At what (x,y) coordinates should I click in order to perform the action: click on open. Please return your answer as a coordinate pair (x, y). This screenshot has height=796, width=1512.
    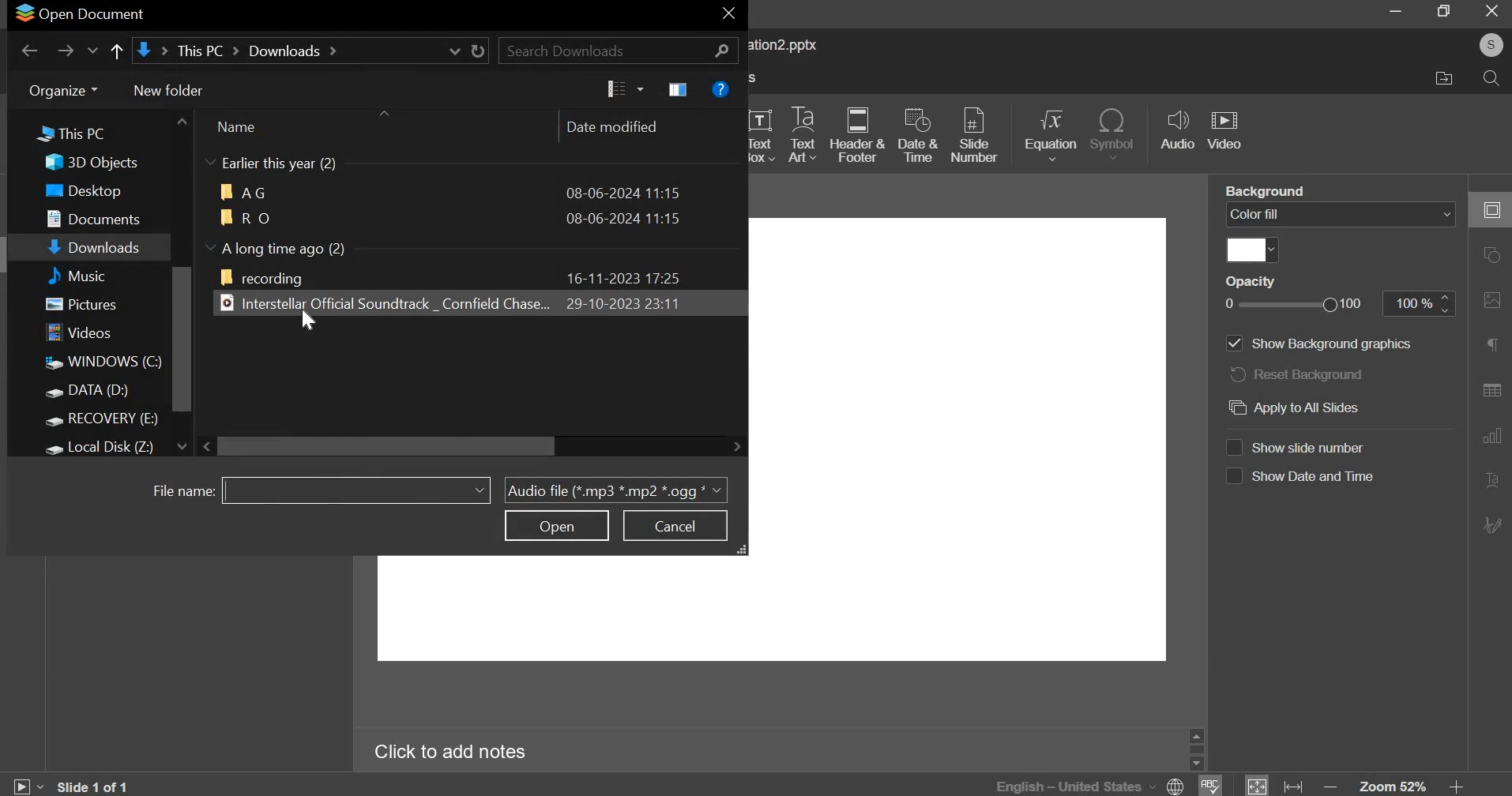
    Looking at the image, I should click on (556, 525).